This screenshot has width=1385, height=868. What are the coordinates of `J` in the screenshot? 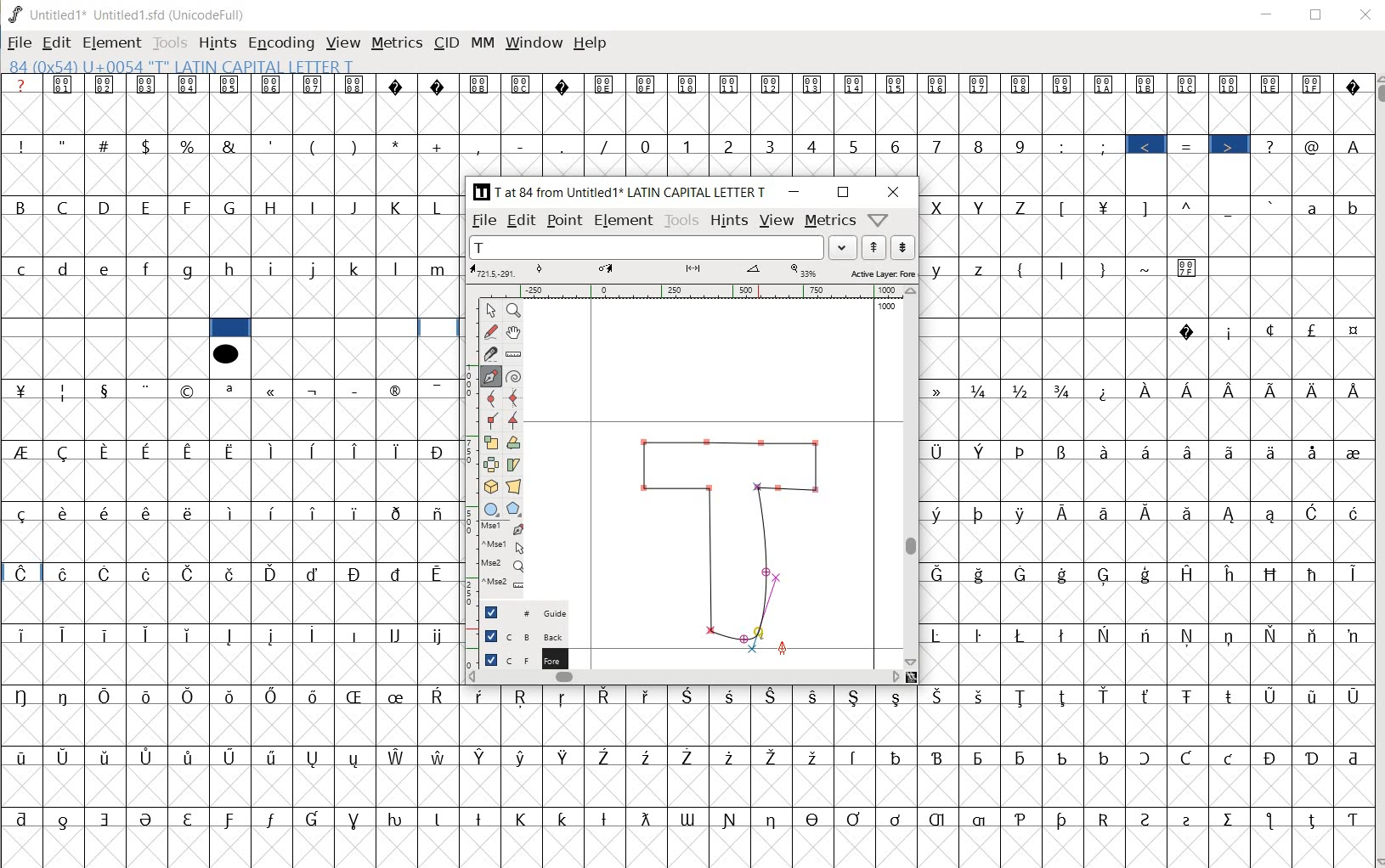 It's located at (356, 207).